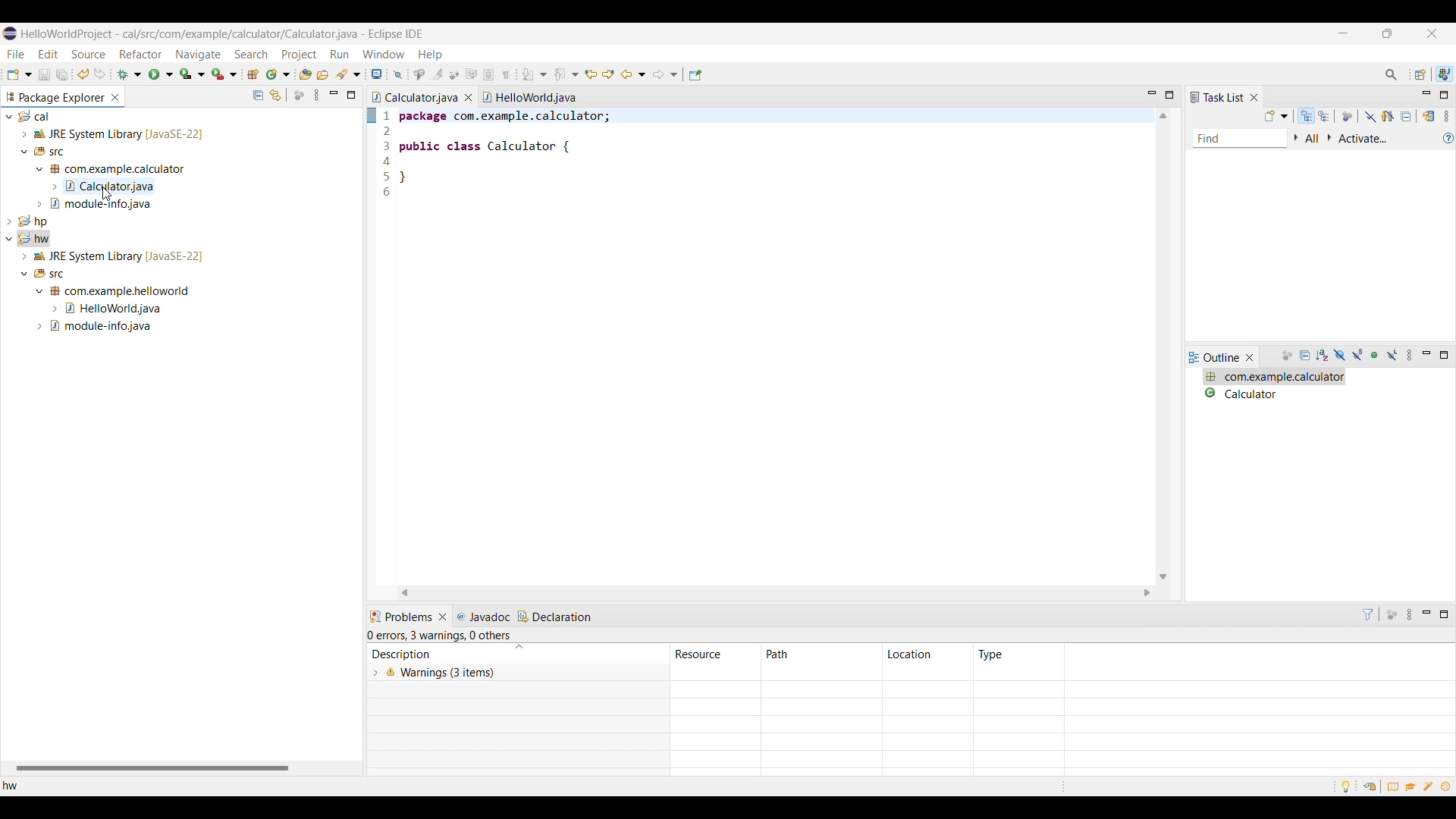 This screenshot has height=819, width=1456. I want to click on View menu, so click(1446, 116).